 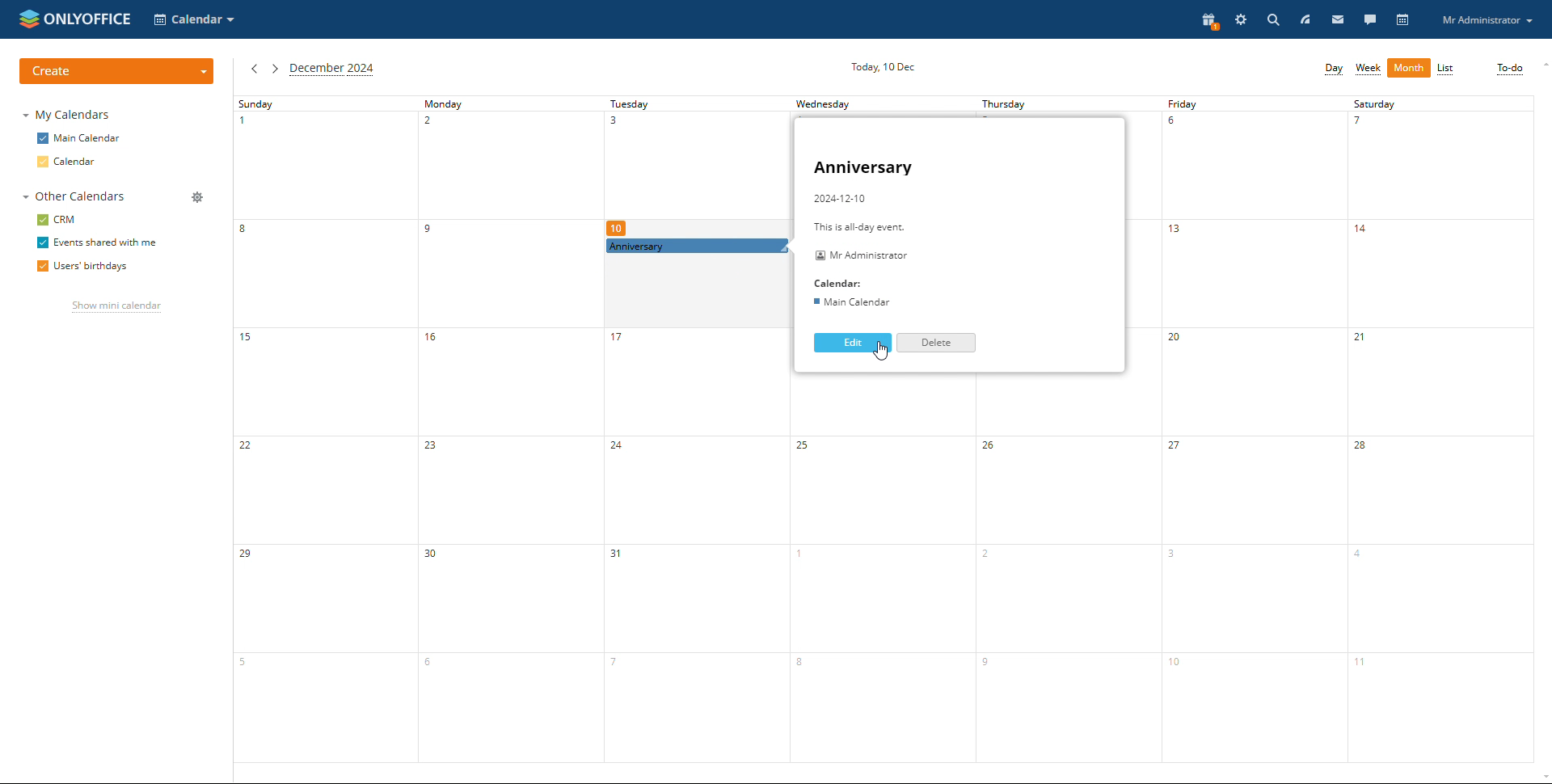 I want to click on select application, so click(x=196, y=19).